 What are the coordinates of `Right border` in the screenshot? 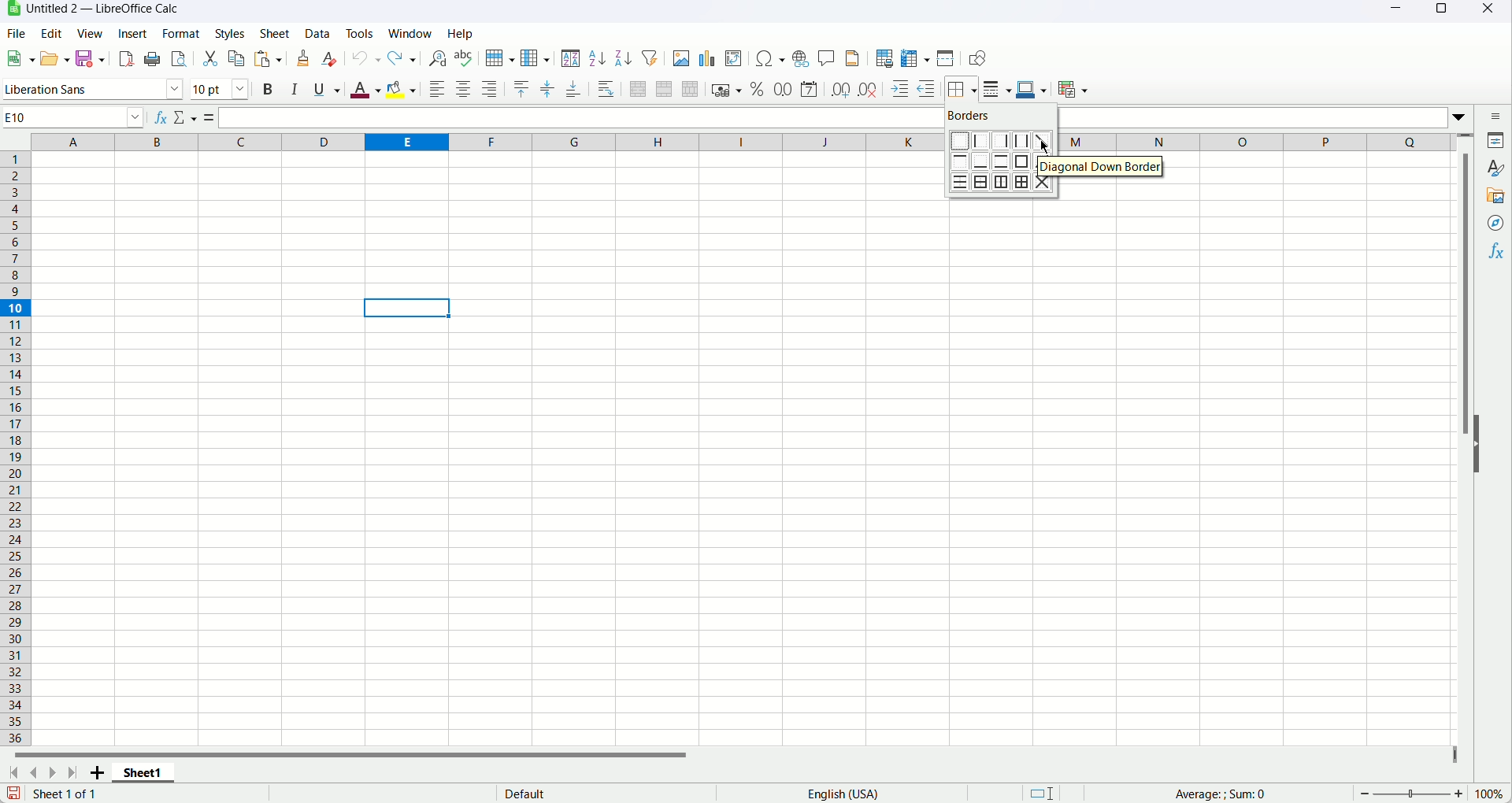 It's located at (1002, 141).